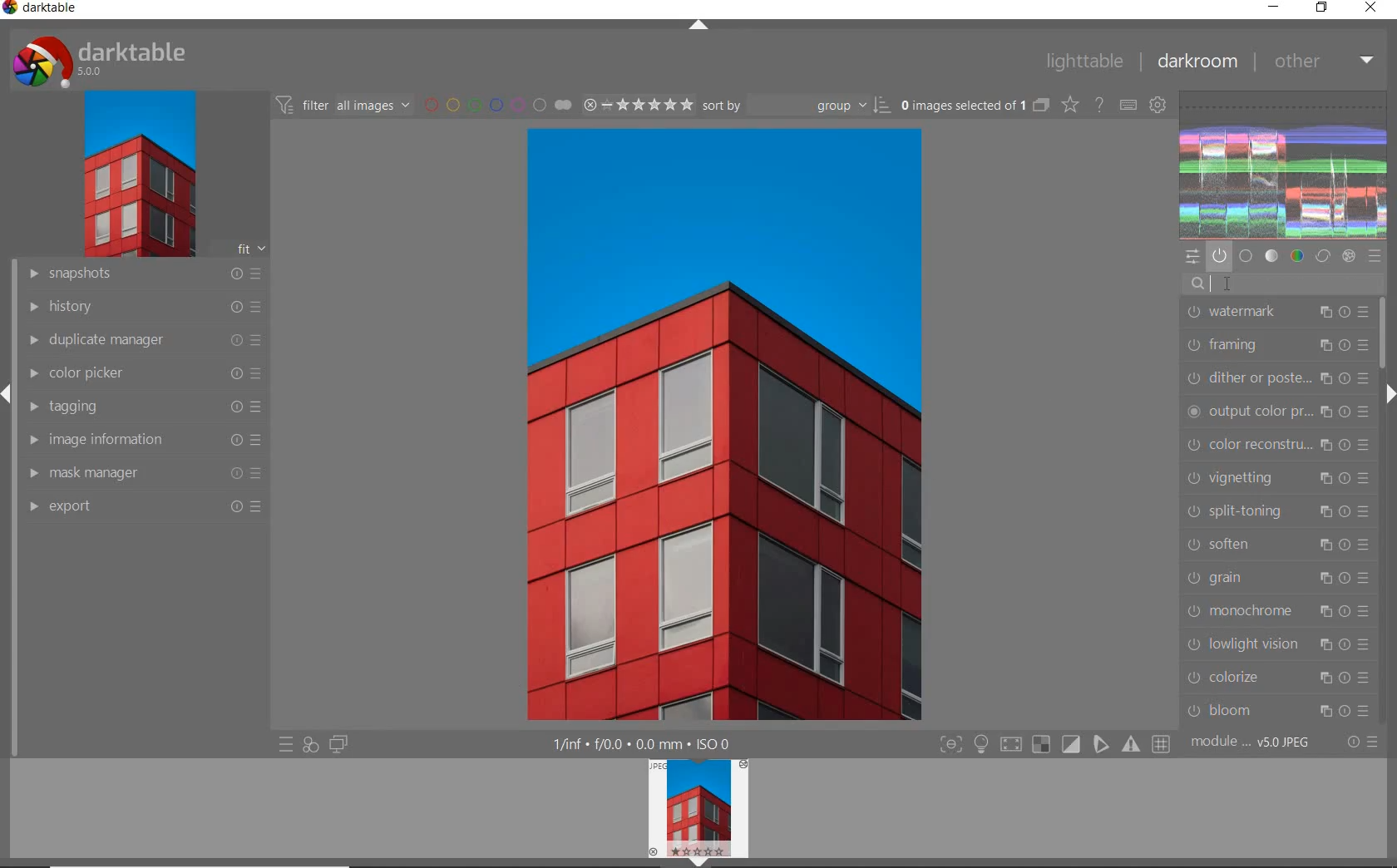  Describe the element at coordinates (1278, 347) in the screenshot. I see `framing` at that location.